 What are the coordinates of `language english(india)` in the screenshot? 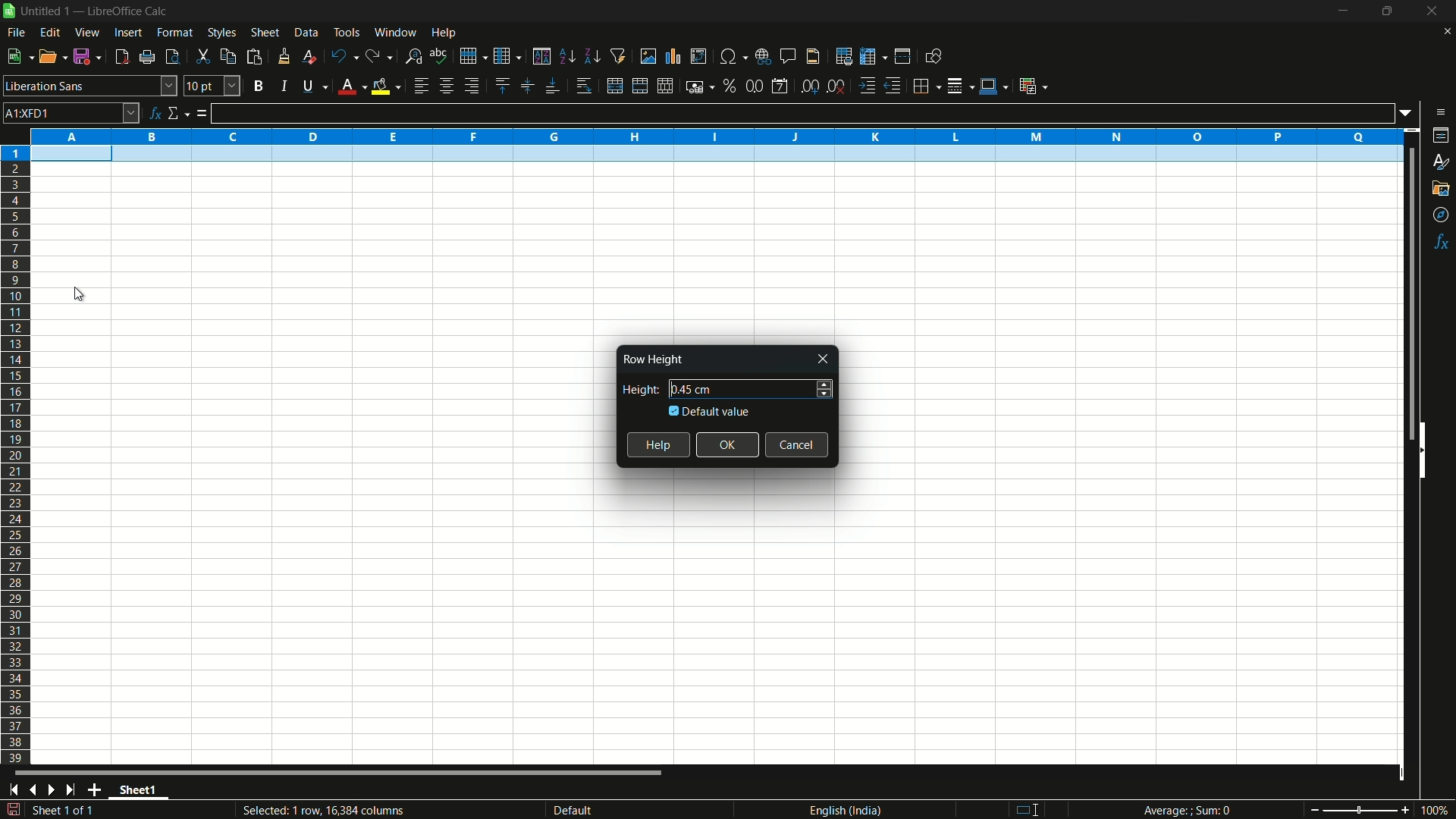 It's located at (841, 810).